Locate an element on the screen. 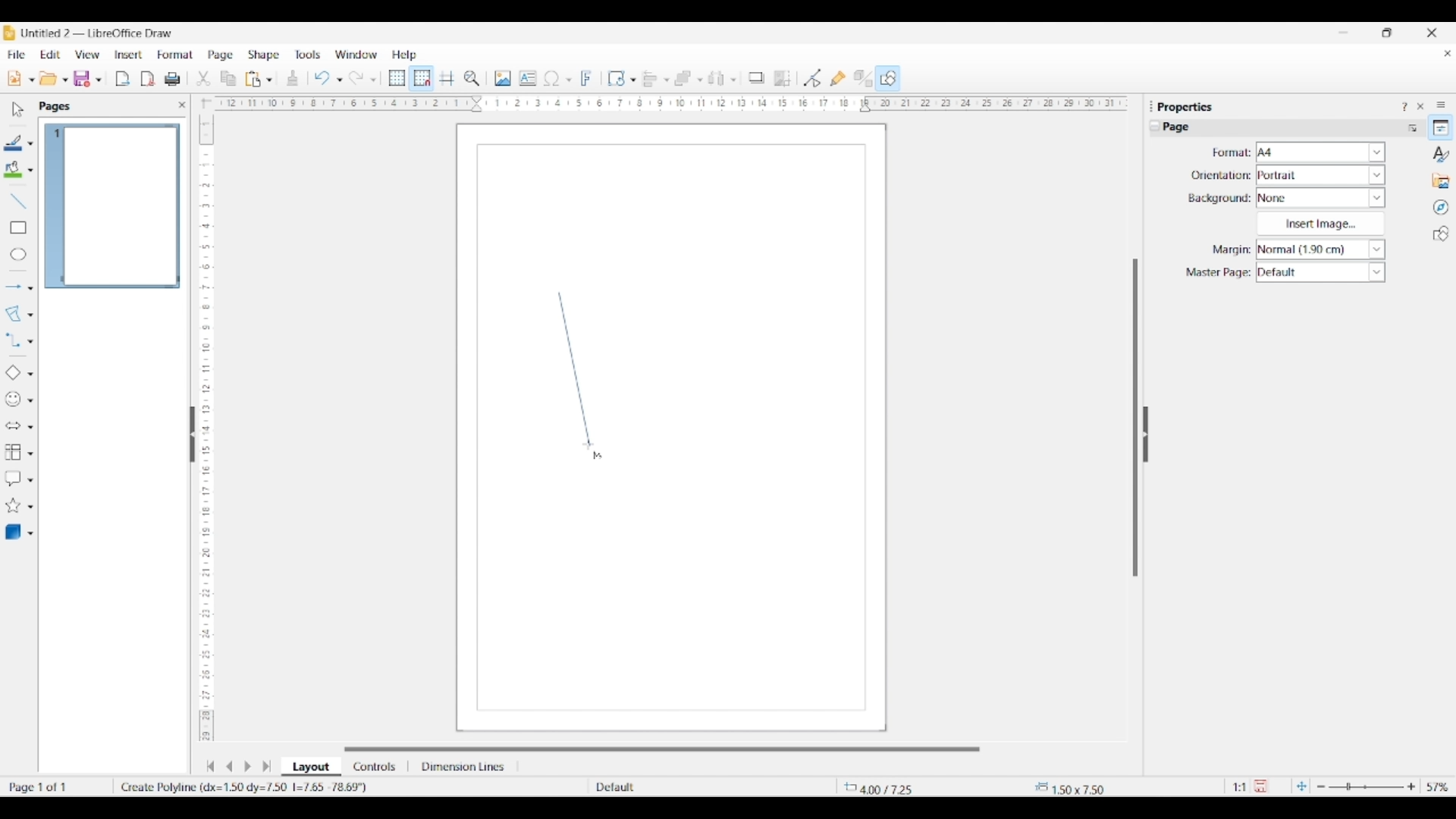  More options is located at coordinates (1412, 127).